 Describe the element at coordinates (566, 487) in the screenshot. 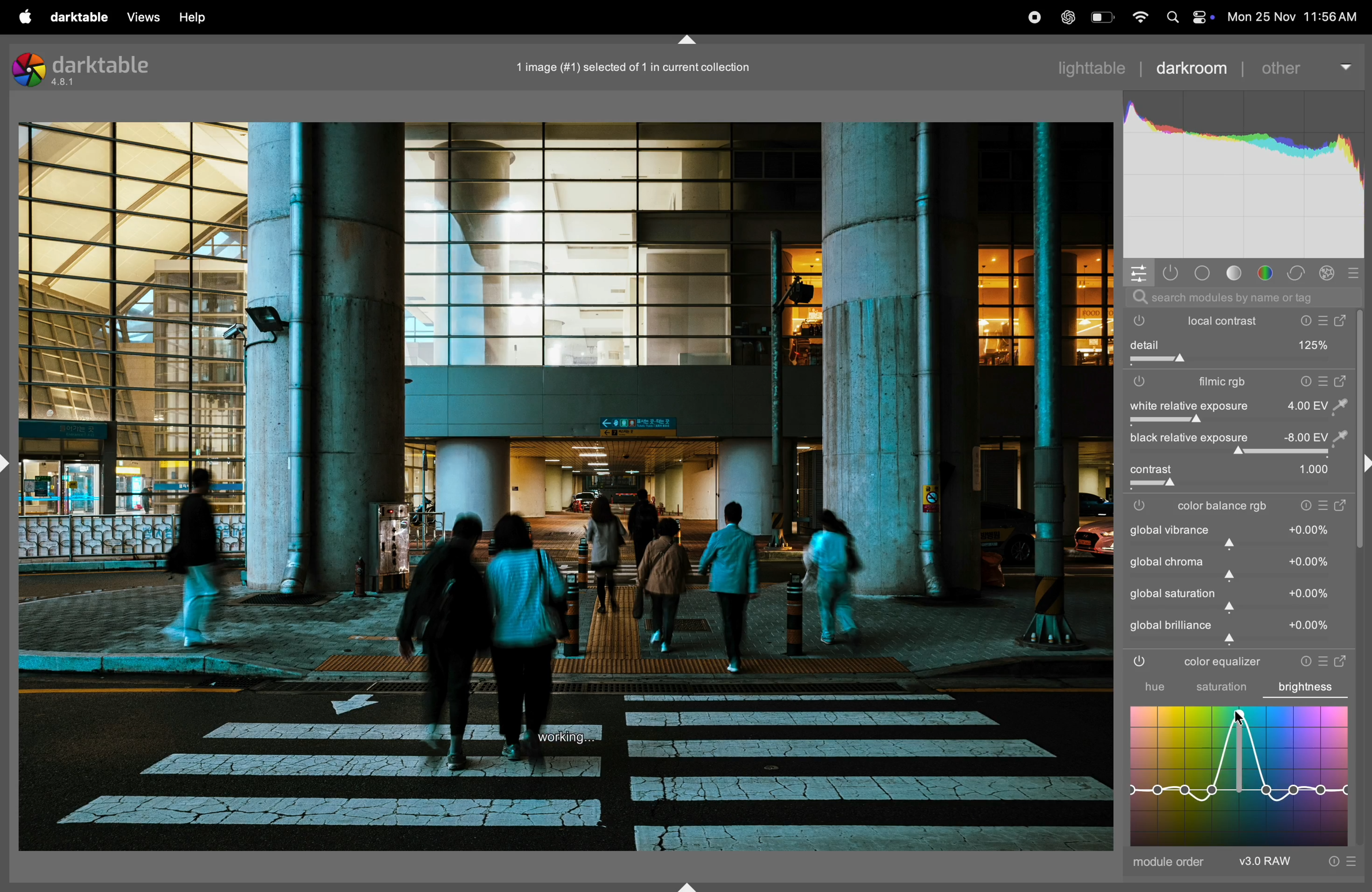

I see `image ` at that location.